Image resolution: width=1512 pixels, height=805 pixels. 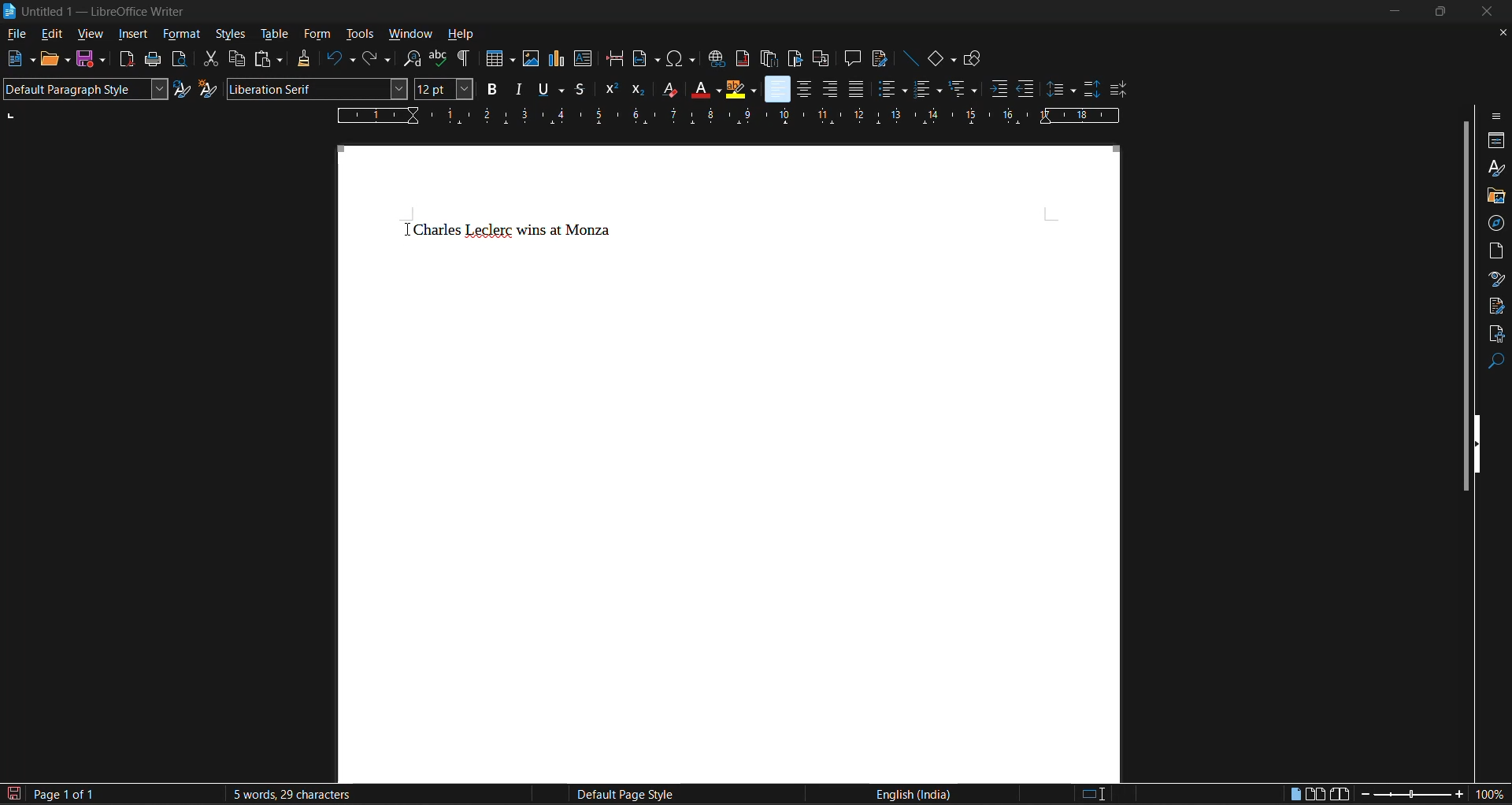 What do you see at coordinates (465, 58) in the screenshot?
I see `toggle formatting marks` at bounding box center [465, 58].